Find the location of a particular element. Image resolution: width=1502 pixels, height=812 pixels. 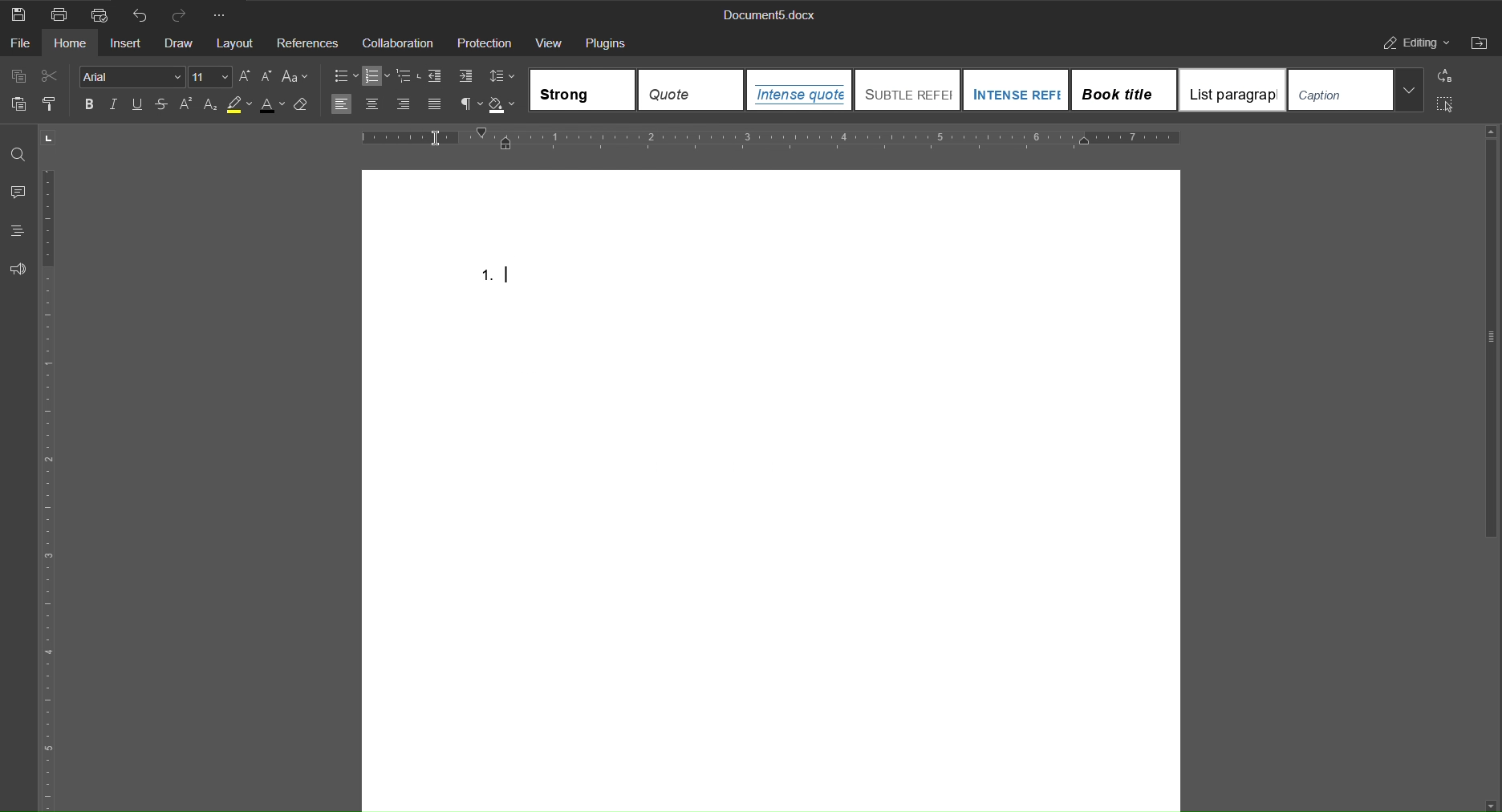

List paragraph is located at coordinates (1234, 90).